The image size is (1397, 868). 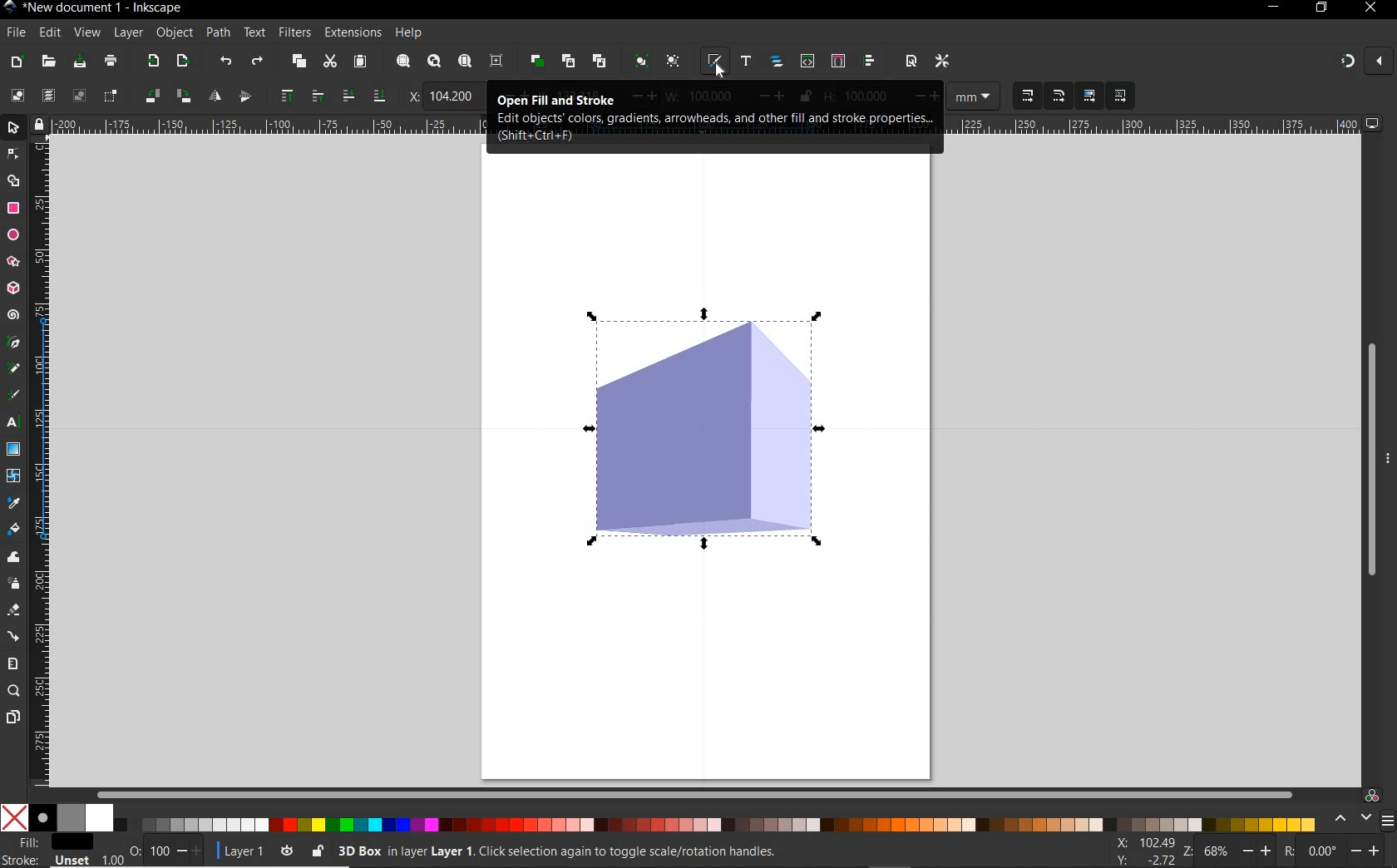 I want to click on 1.00, so click(x=112, y=860).